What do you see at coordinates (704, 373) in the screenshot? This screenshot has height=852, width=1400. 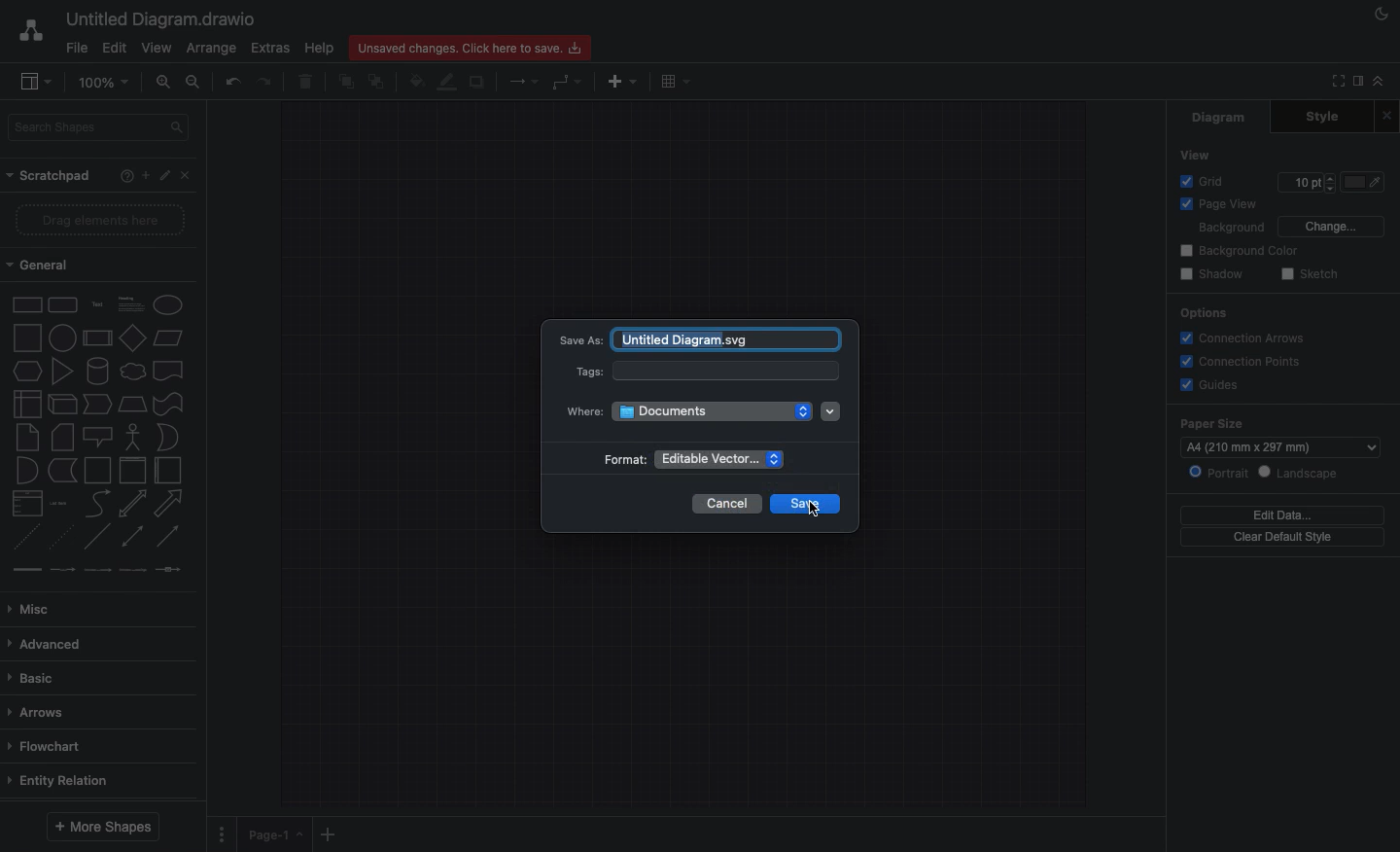 I see `Tags` at bounding box center [704, 373].